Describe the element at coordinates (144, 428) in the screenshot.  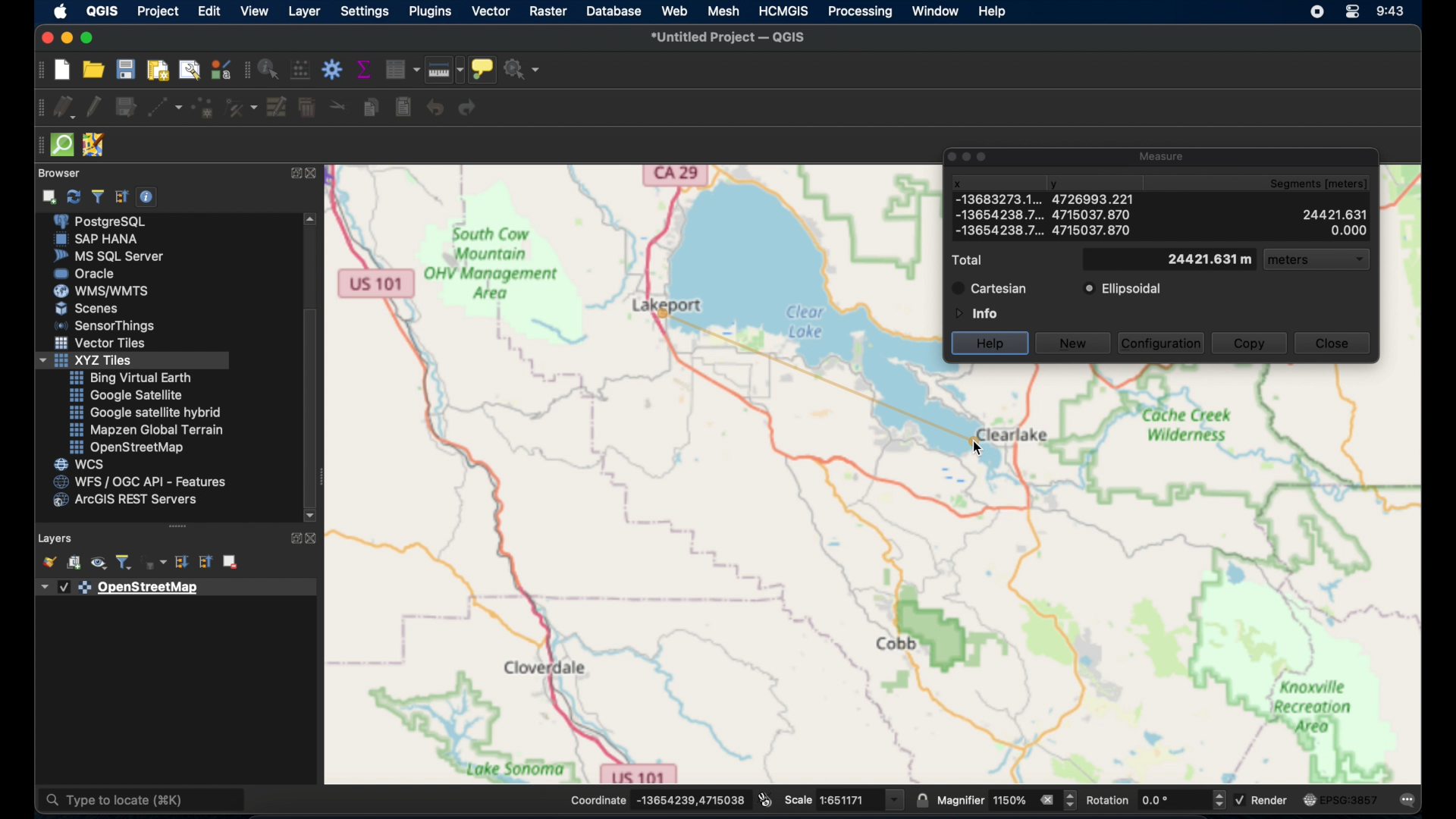
I see `mapzen global. terrain` at that location.